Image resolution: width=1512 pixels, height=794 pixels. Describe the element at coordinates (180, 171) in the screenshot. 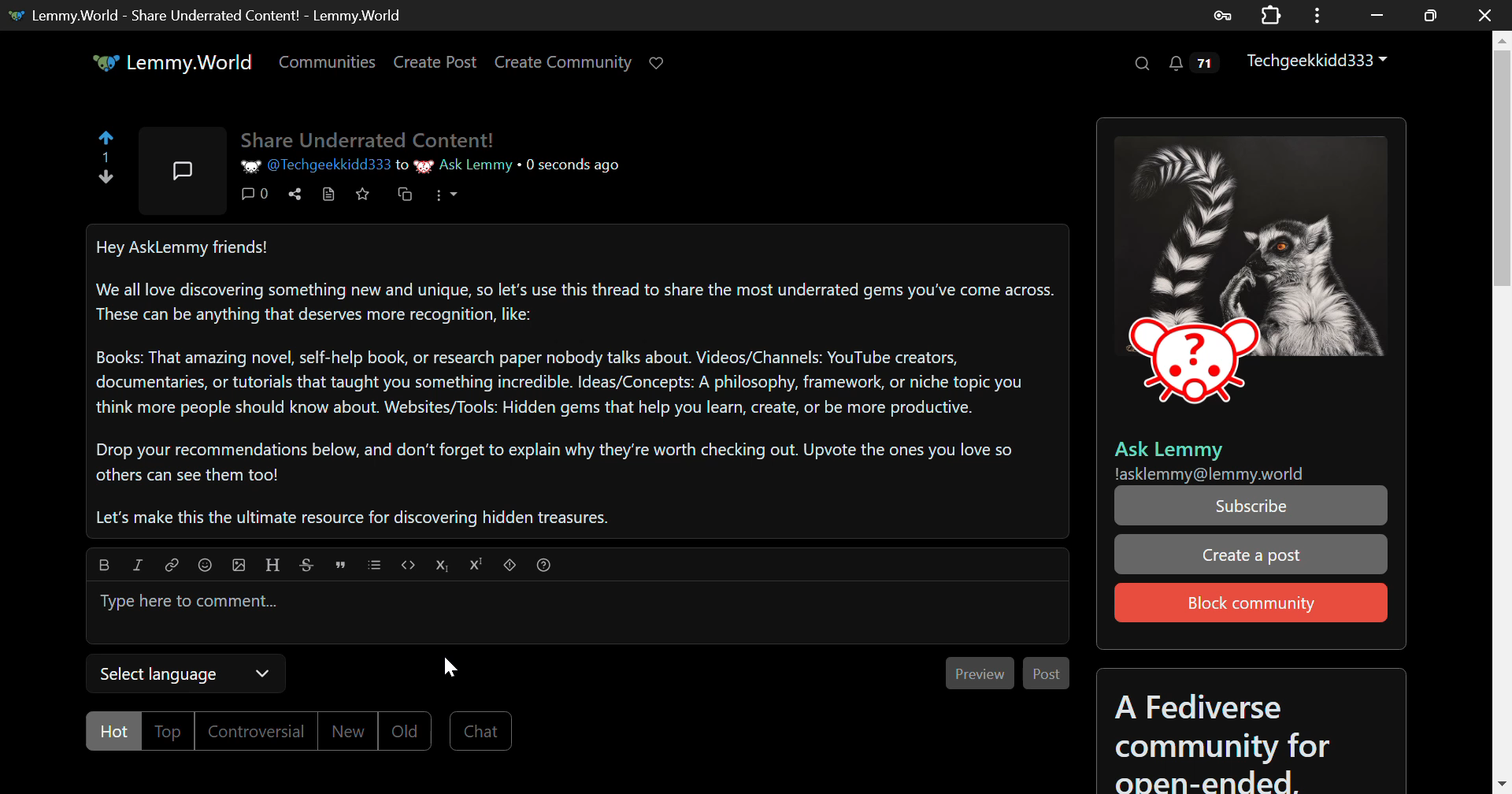

I see `Community Post Icon` at that location.